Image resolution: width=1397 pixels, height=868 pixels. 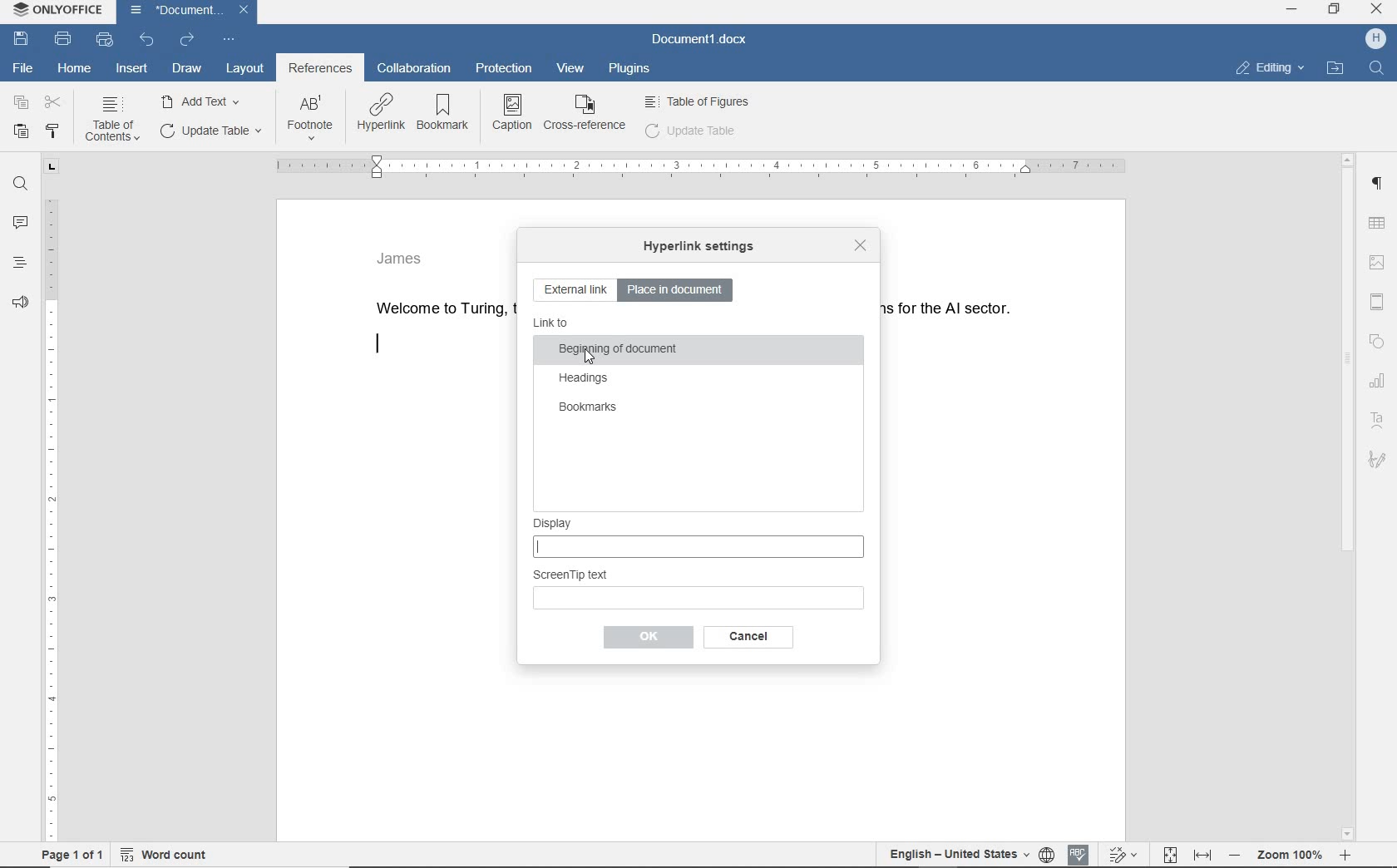 I want to click on quick print, so click(x=103, y=39).